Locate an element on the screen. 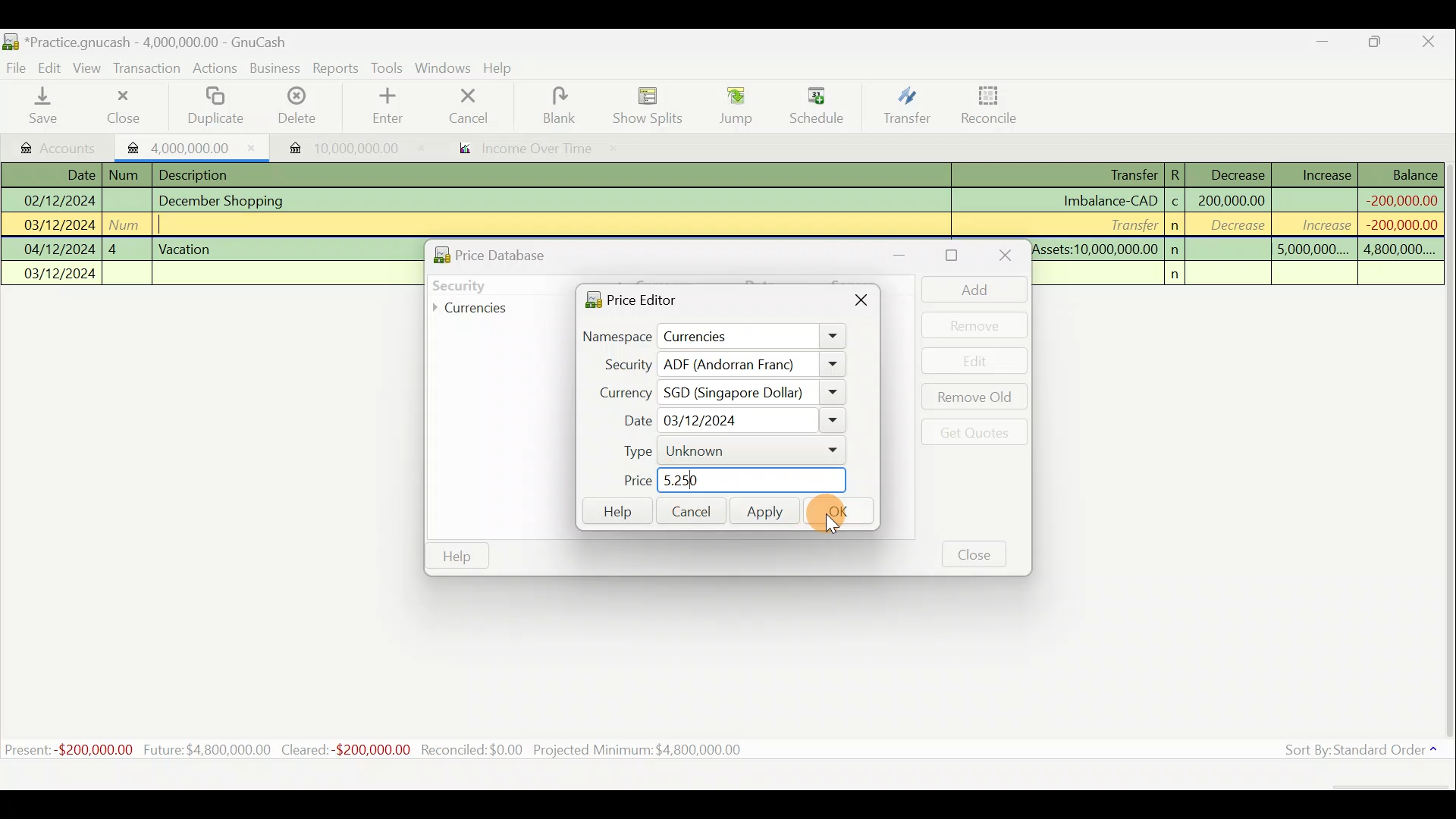 Image resolution: width=1456 pixels, height=819 pixels. Type is located at coordinates (724, 450).